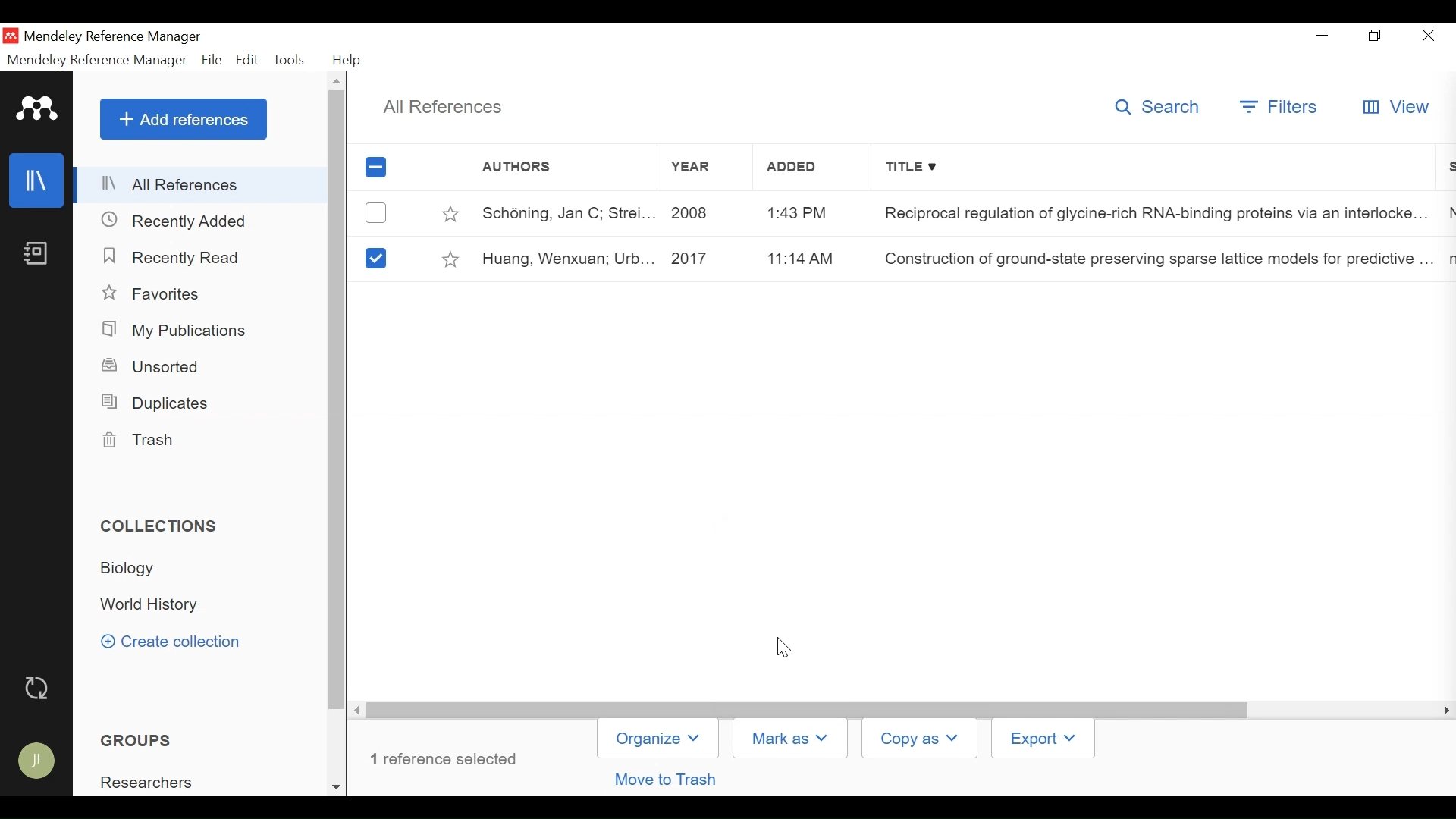  What do you see at coordinates (690, 170) in the screenshot?
I see `Year` at bounding box center [690, 170].